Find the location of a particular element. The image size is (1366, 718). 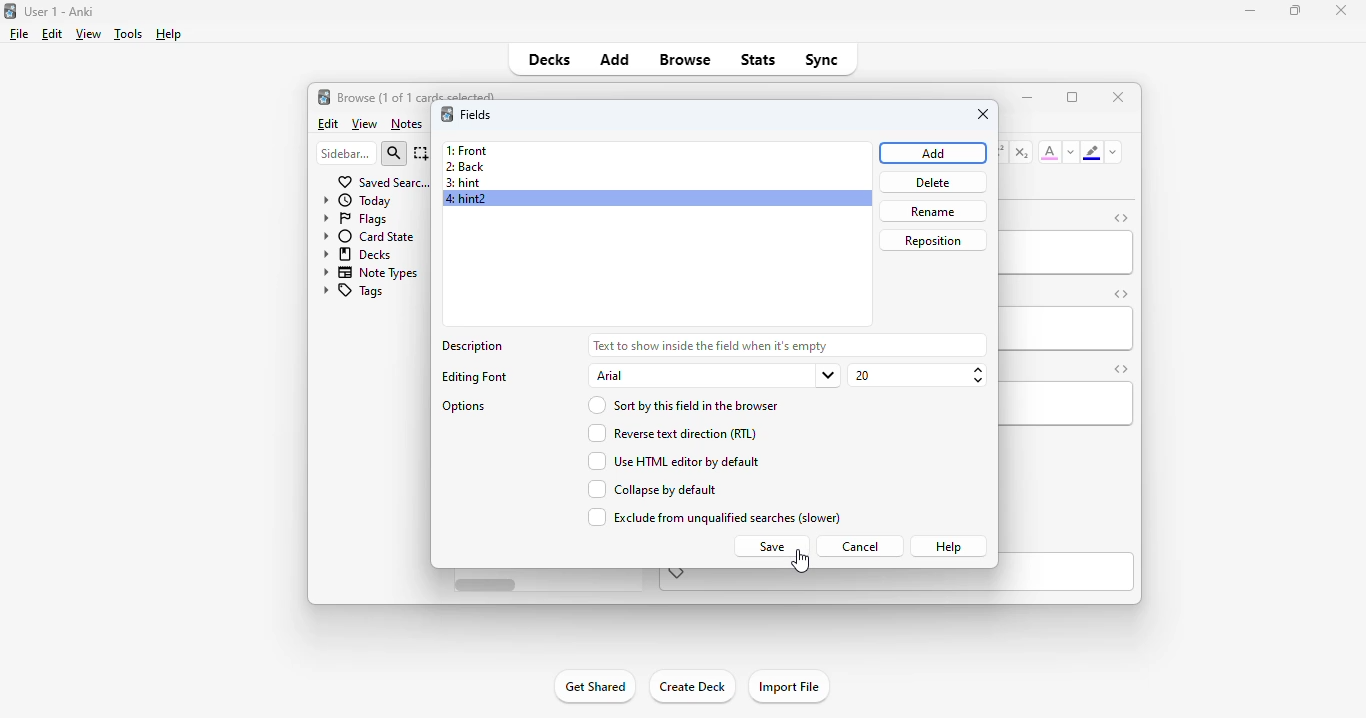

options is located at coordinates (466, 407).